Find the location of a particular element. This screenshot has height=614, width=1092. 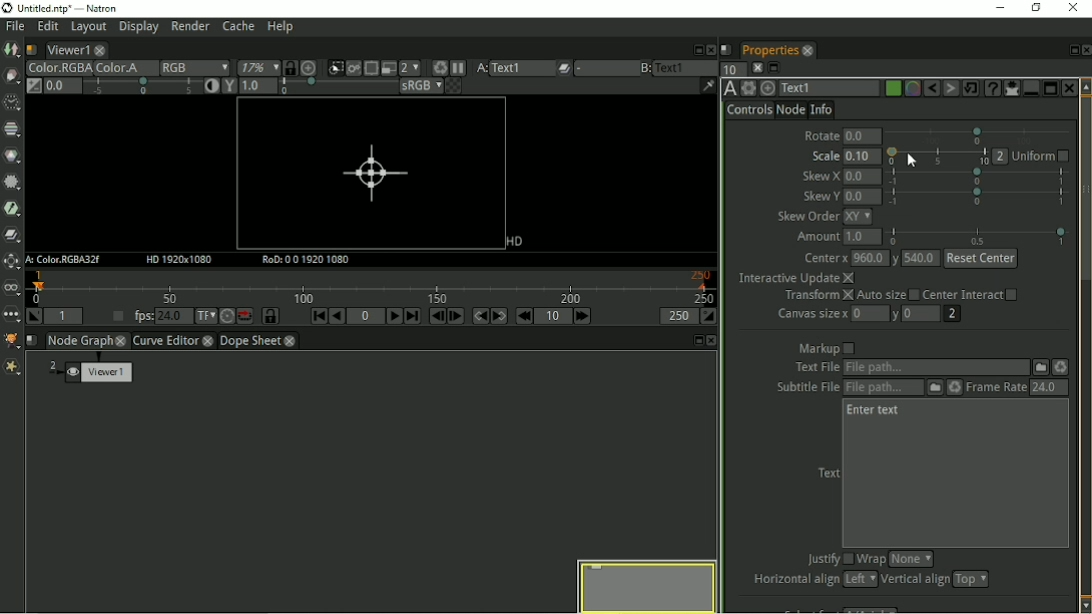

Help is located at coordinates (281, 27).